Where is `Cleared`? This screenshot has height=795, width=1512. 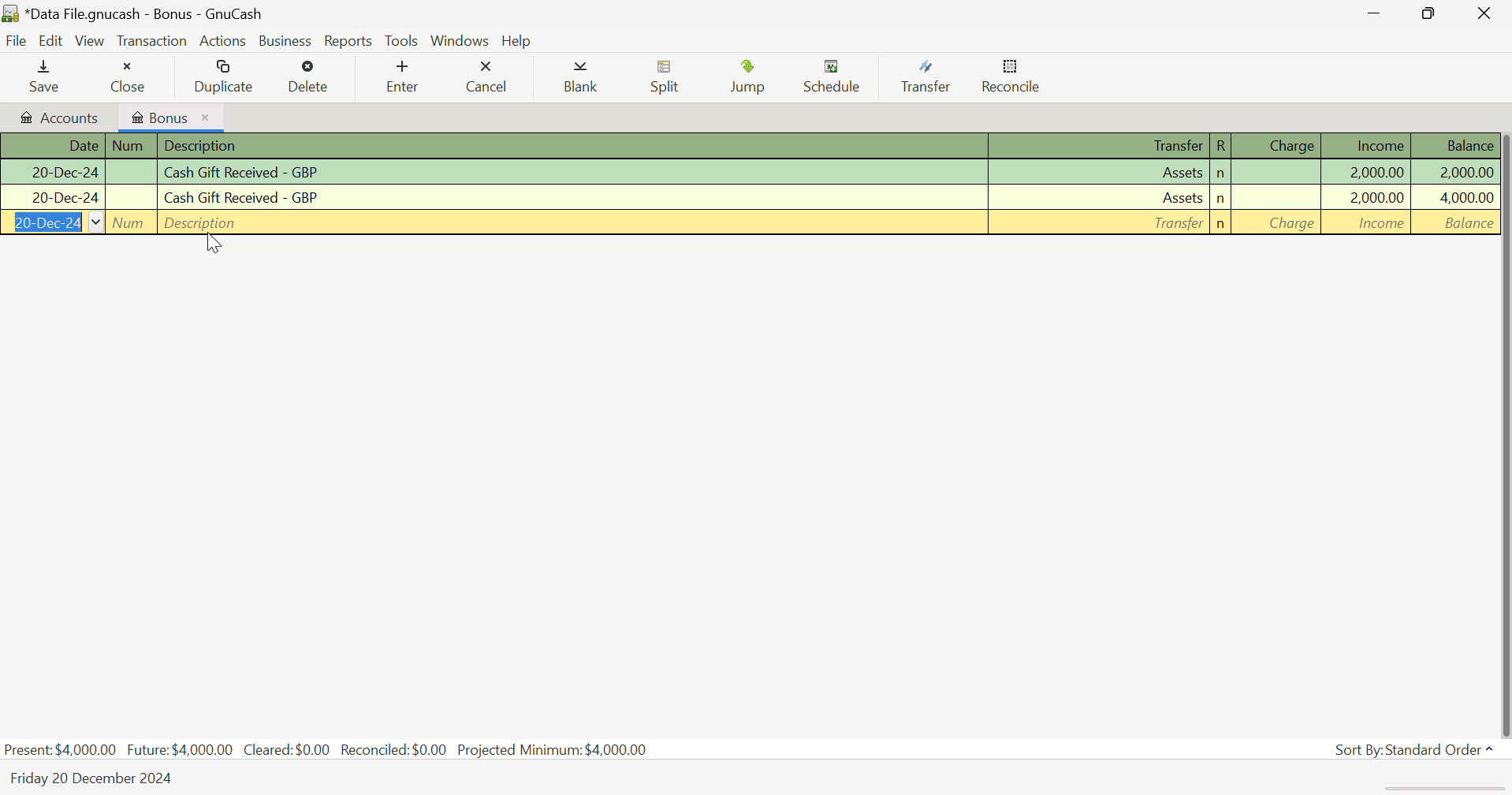
Cleared is located at coordinates (291, 749).